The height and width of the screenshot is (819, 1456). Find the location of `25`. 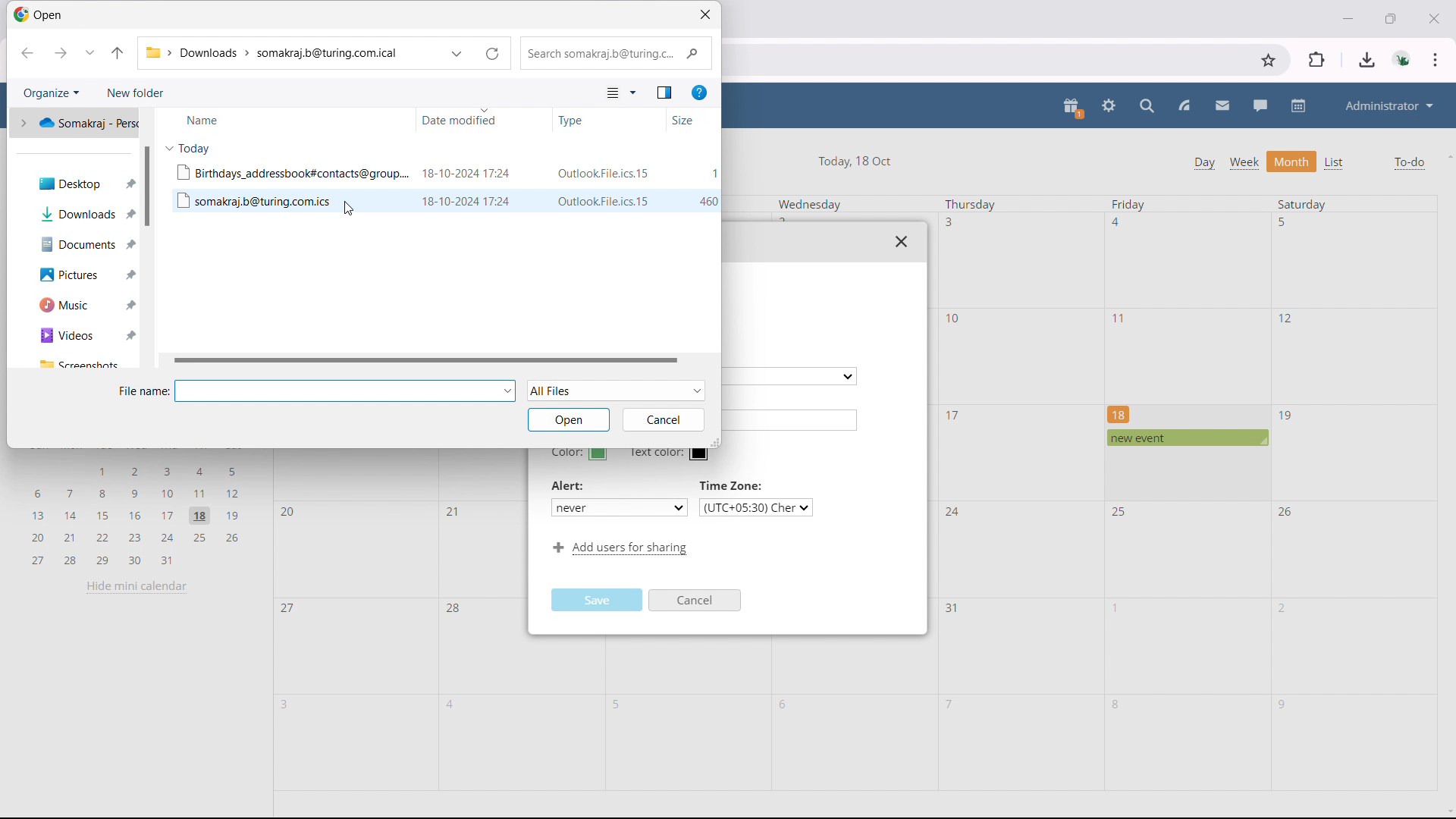

25 is located at coordinates (1122, 512).